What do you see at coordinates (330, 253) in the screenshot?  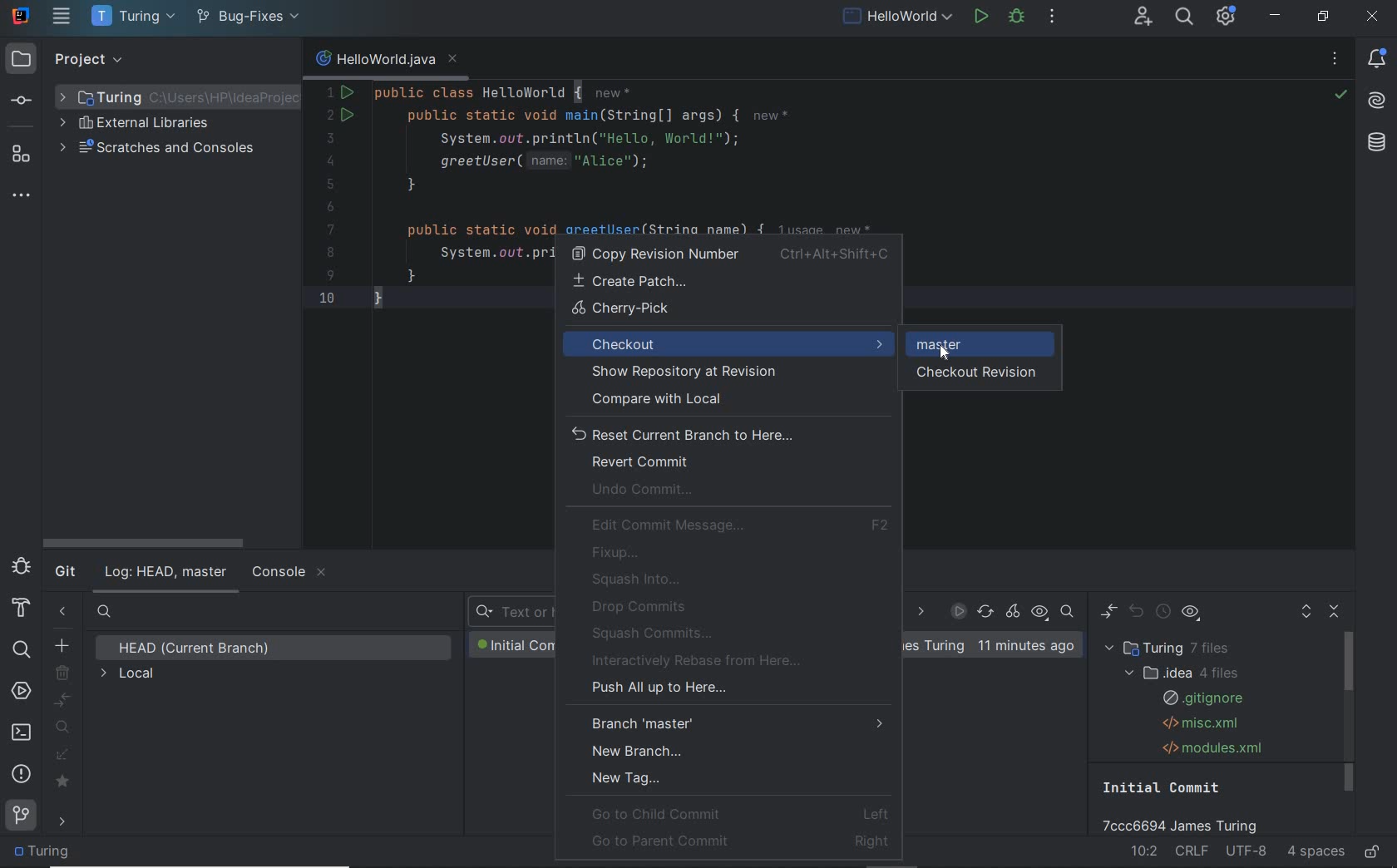 I see `8` at bounding box center [330, 253].